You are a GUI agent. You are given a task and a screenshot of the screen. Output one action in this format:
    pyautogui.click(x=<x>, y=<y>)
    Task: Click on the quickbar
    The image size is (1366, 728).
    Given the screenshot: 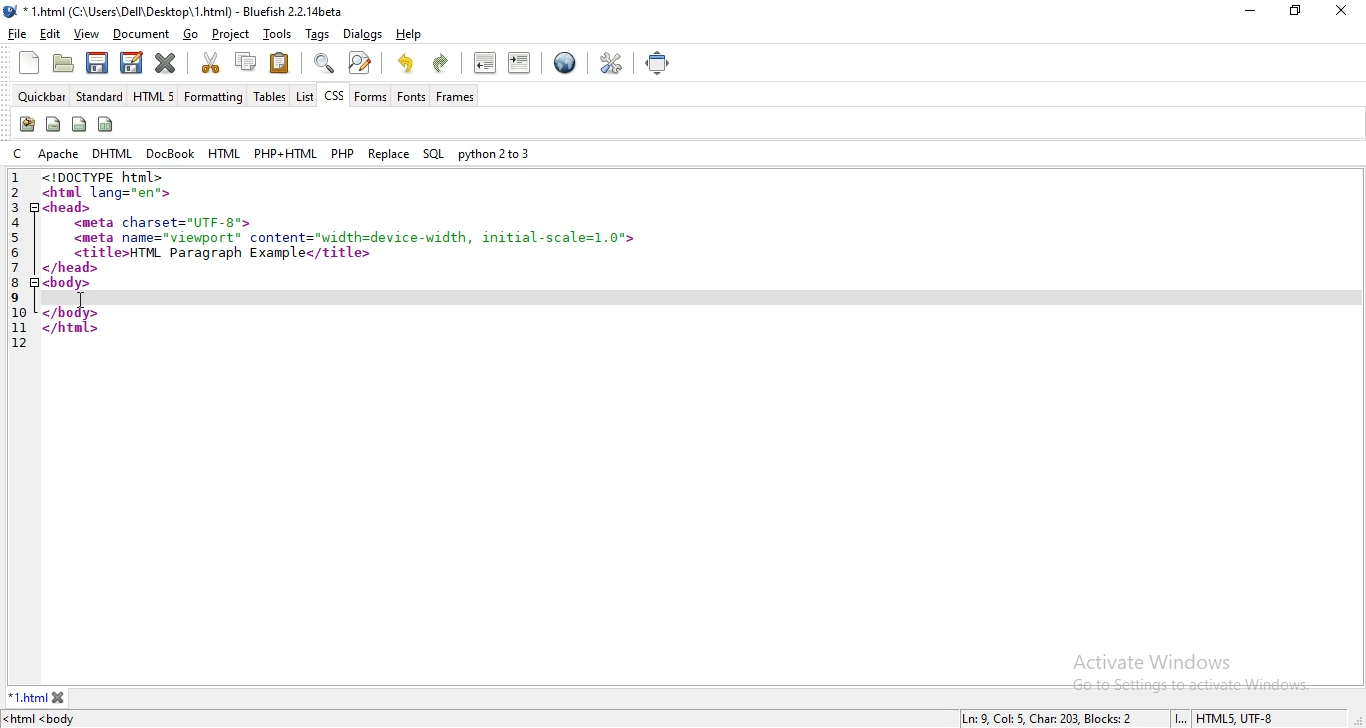 What is the action you would take?
    pyautogui.click(x=40, y=97)
    